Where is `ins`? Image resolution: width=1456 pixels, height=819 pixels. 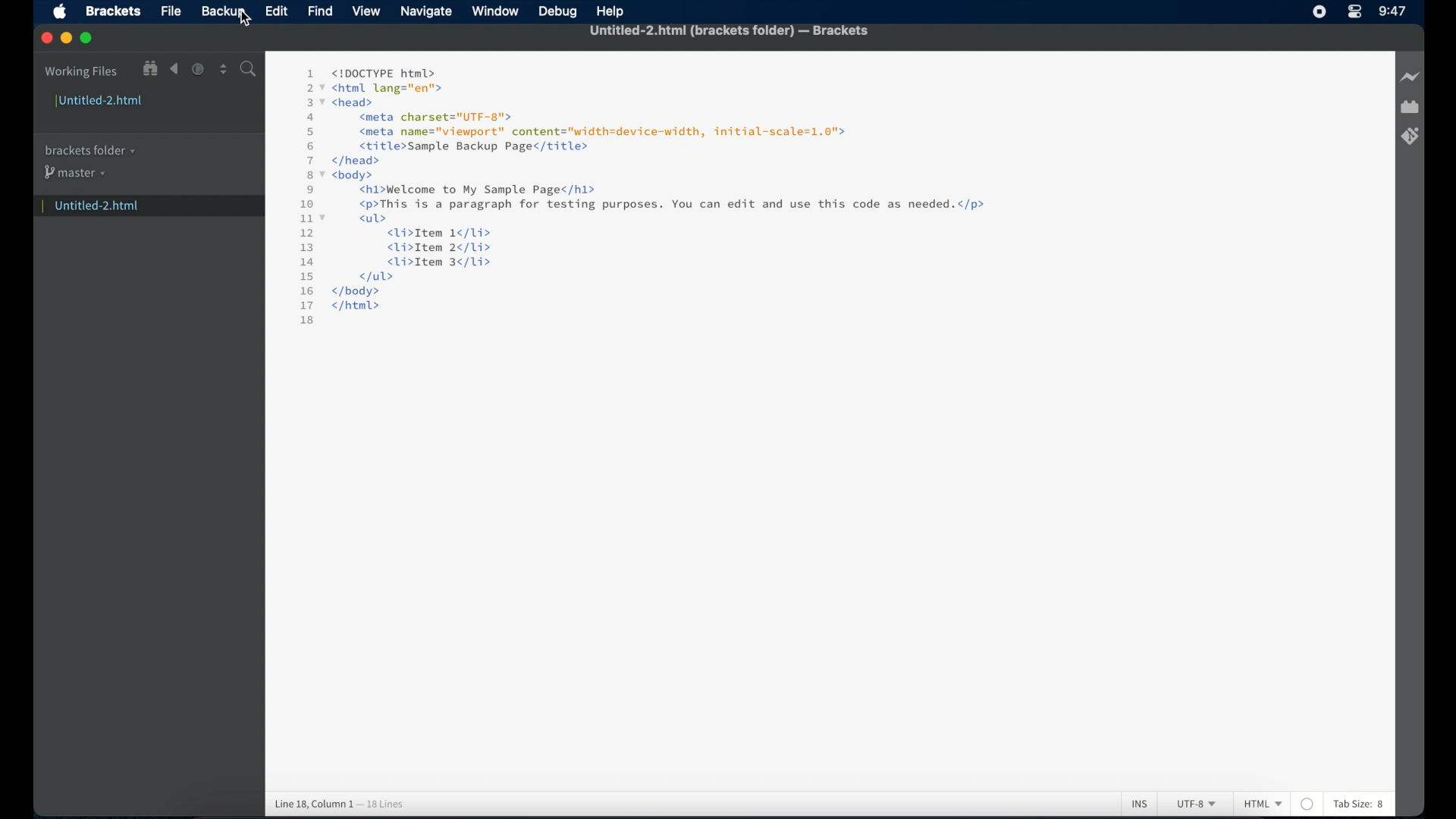 ins is located at coordinates (1140, 805).